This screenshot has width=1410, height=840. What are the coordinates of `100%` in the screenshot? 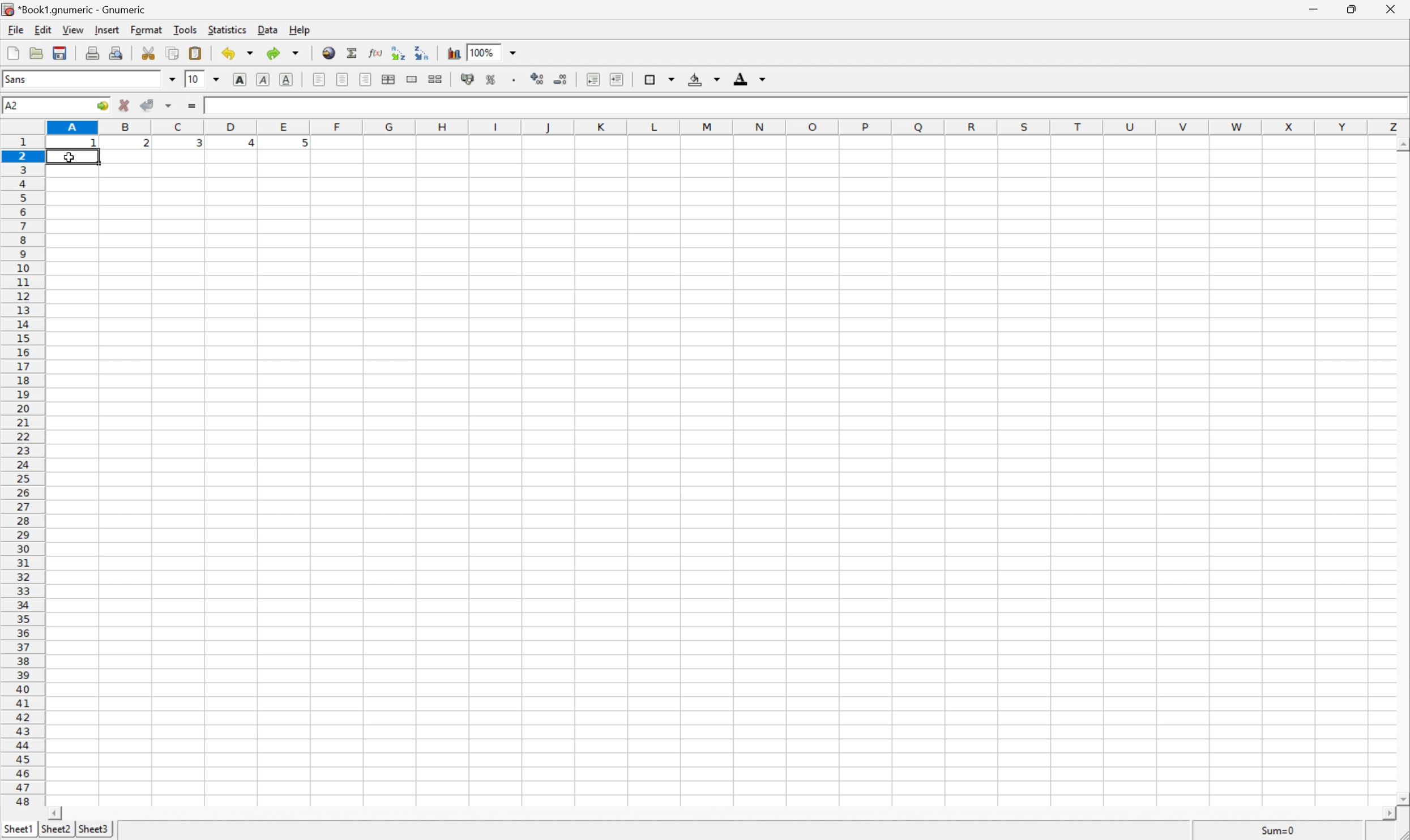 It's located at (484, 52).